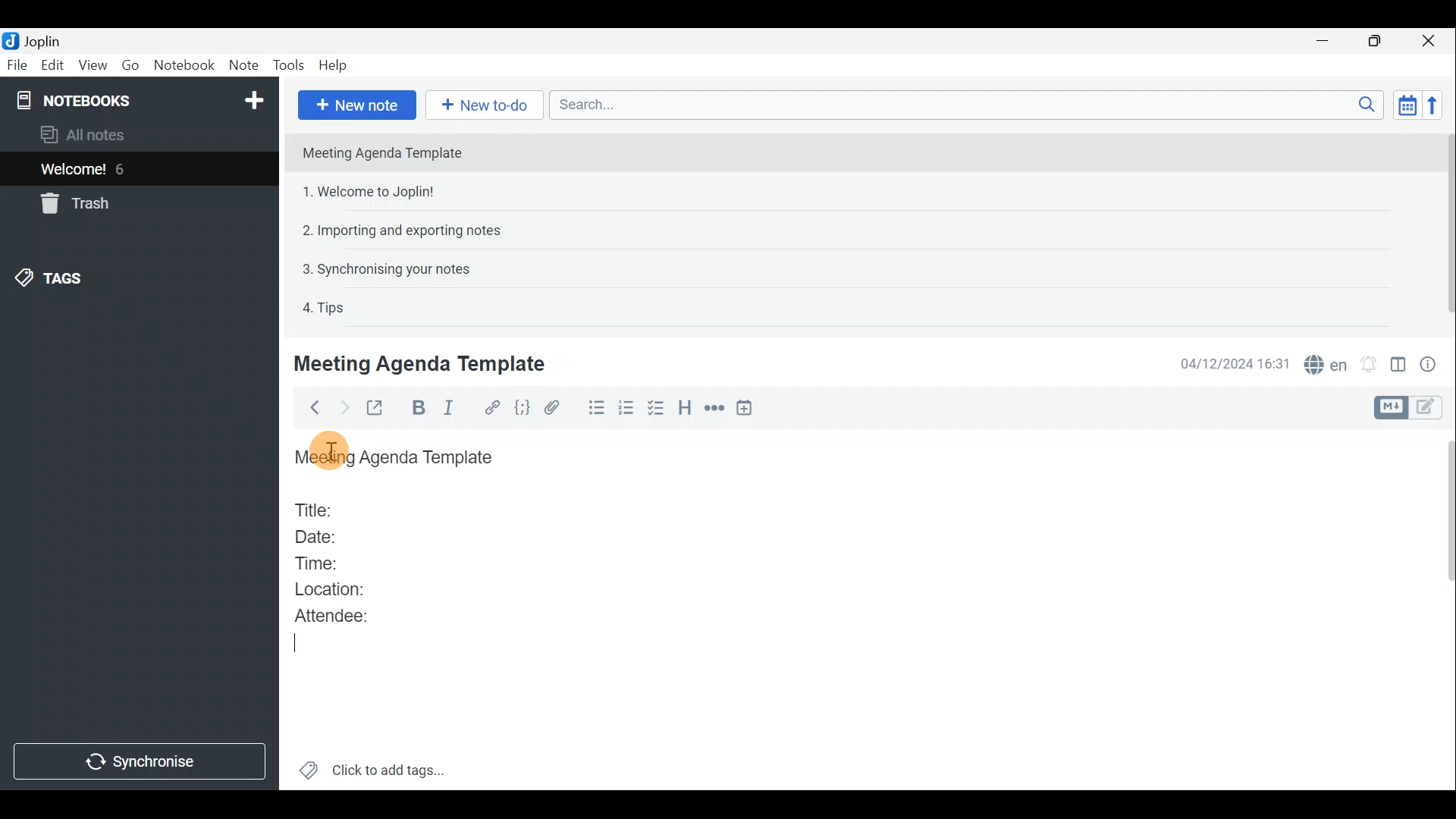 The height and width of the screenshot is (819, 1456). What do you see at coordinates (310, 410) in the screenshot?
I see `Back` at bounding box center [310, 410].